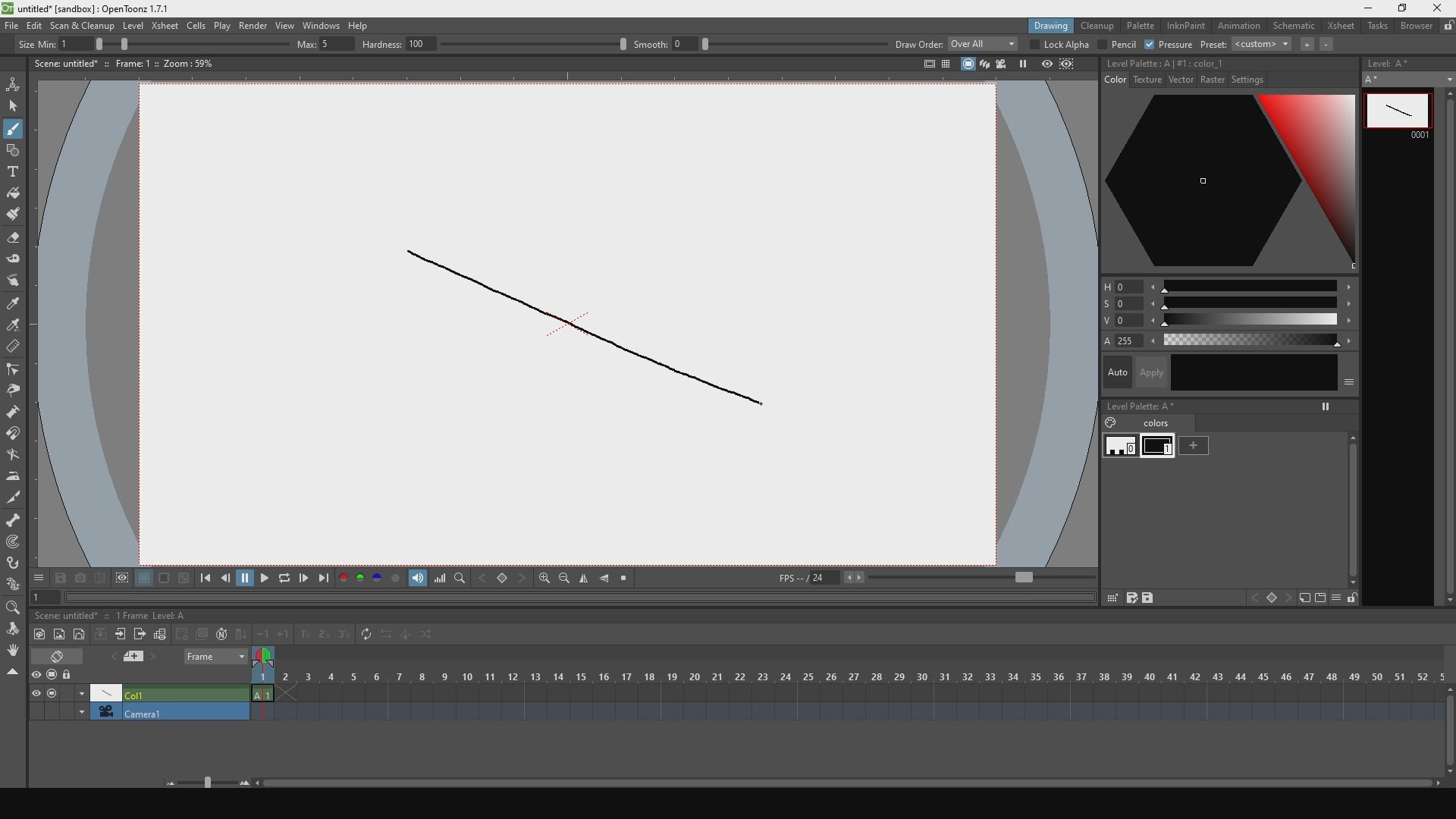 The image size is (1456, 819). Describe the element at coordinates (14, 238) in the screenshot. I see `erase` at that location.